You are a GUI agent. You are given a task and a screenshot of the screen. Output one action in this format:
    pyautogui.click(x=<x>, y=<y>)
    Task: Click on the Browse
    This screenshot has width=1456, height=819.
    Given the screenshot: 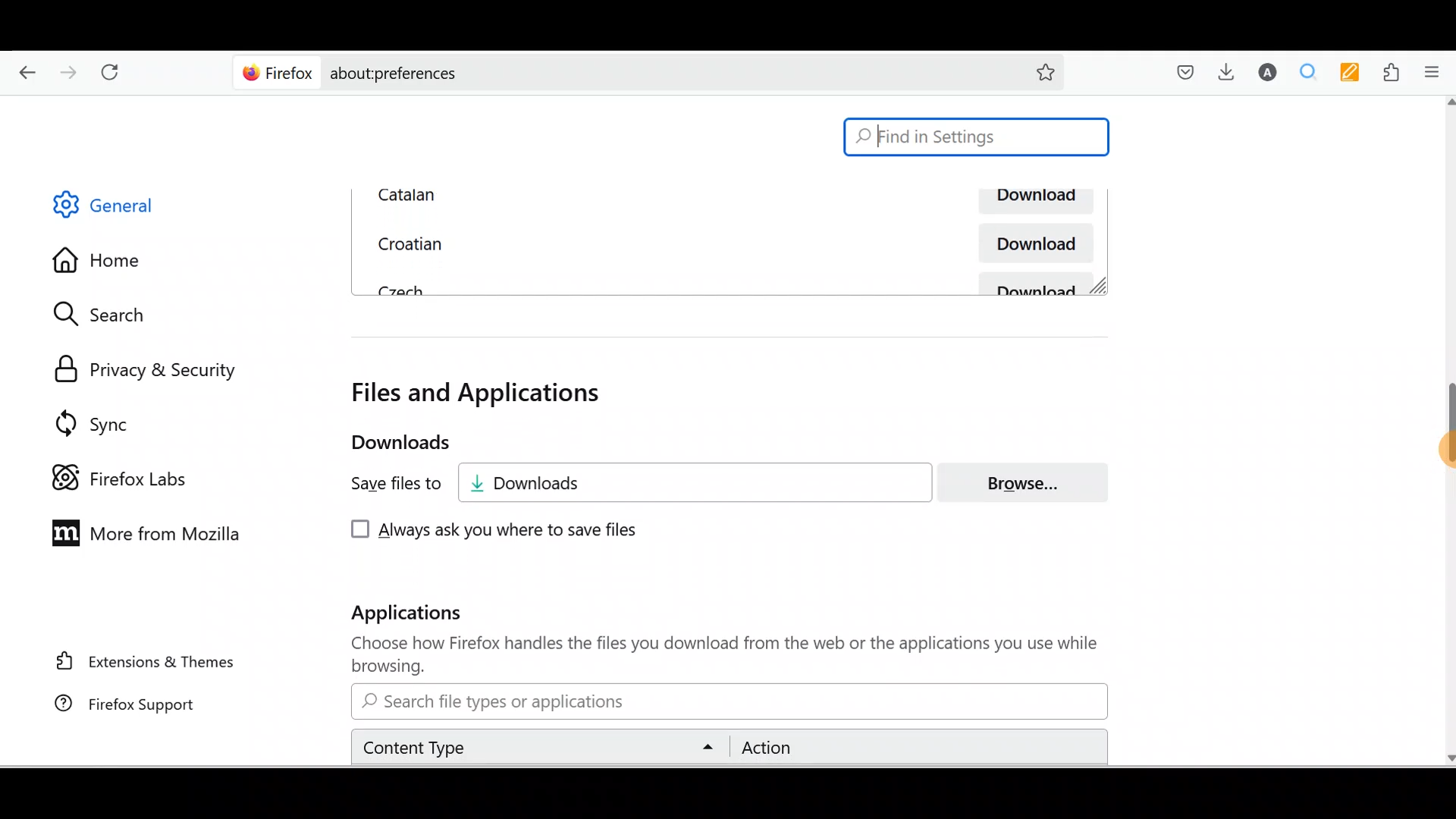 What is the action you would take?
    pyautogui.click(x=1032, y=482)
    